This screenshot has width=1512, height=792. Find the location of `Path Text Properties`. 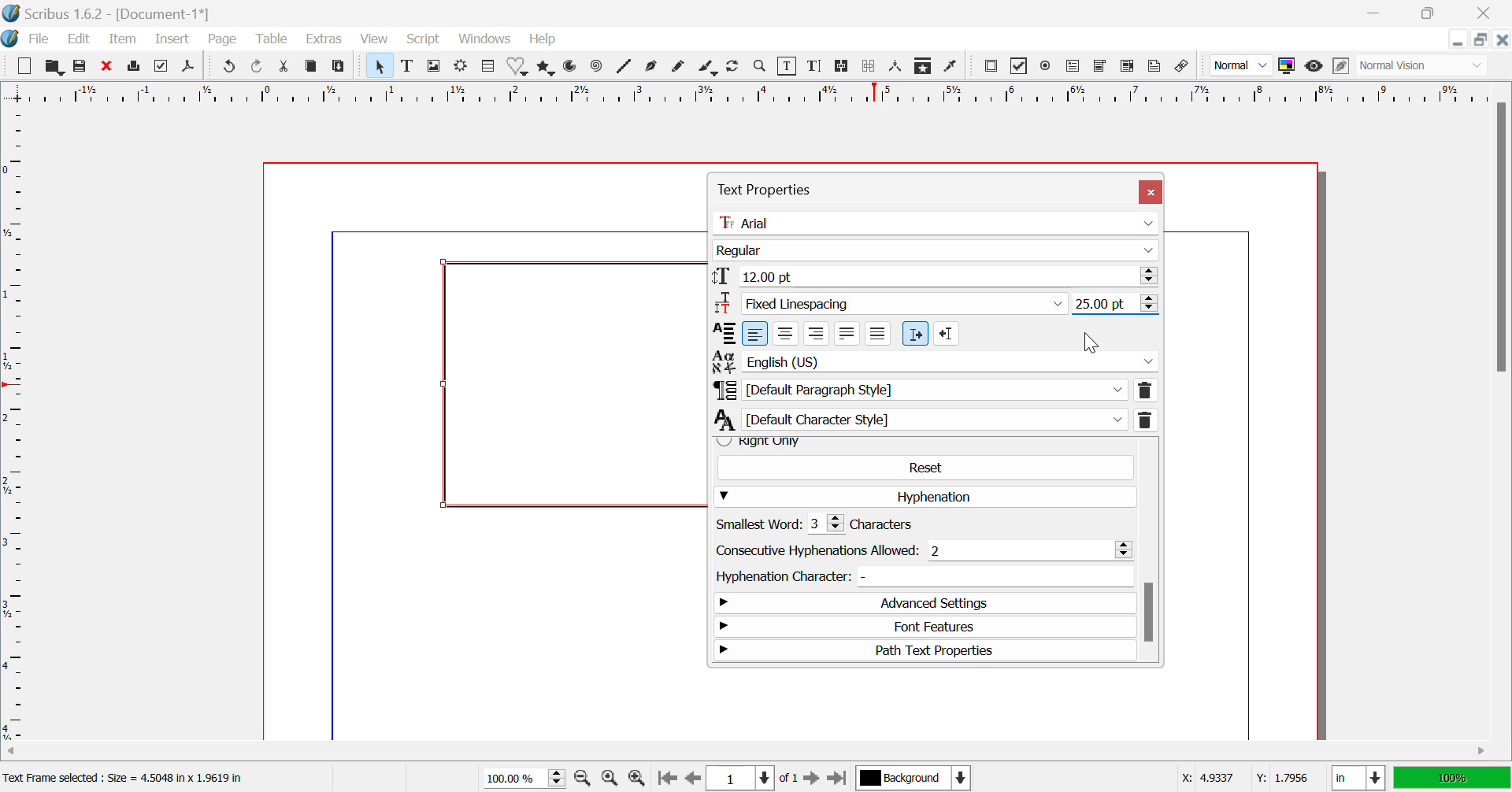

Path Text Properties is located at coordinates (926, 650).